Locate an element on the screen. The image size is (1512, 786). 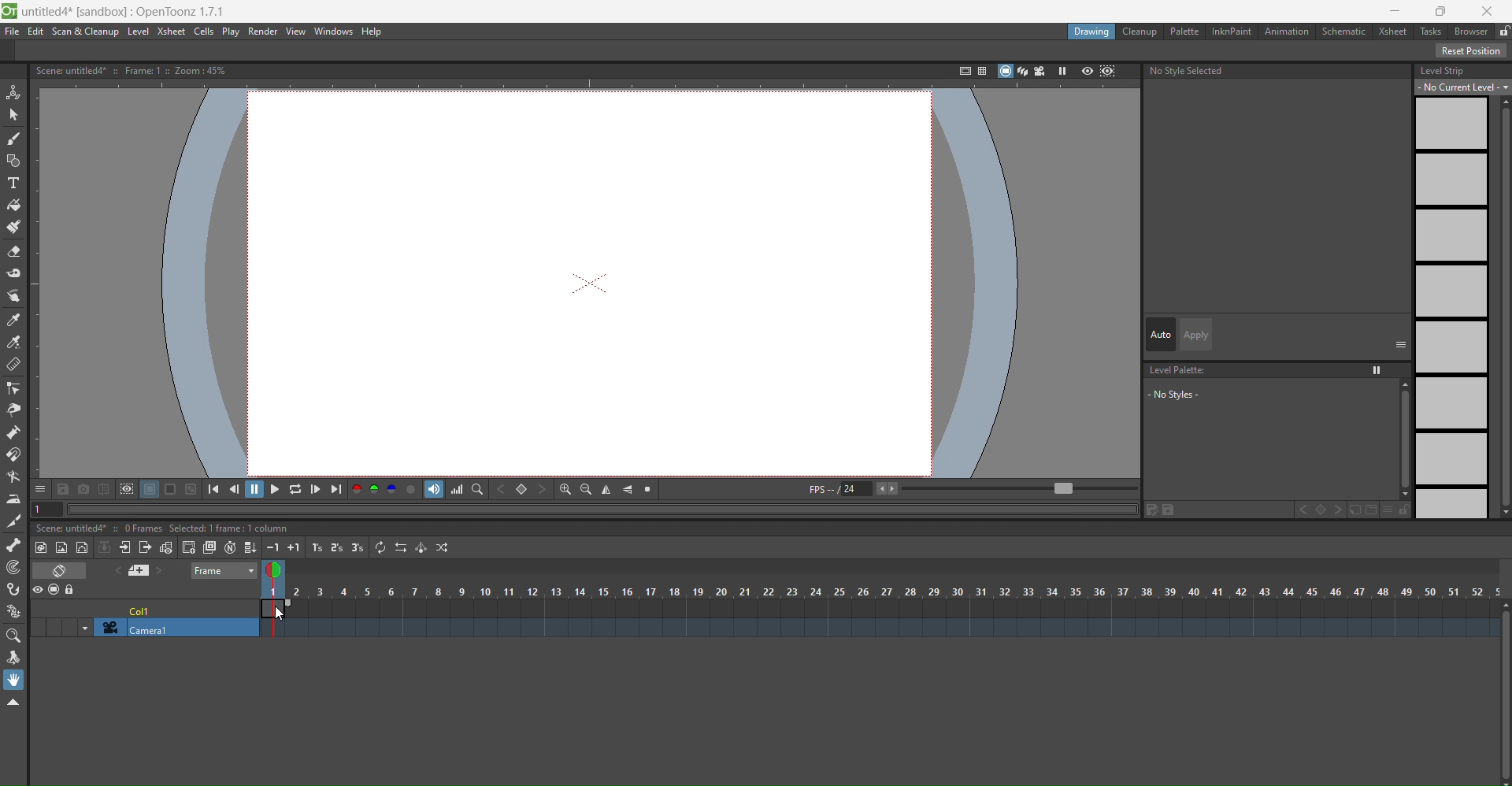
lock unlock is located at coordinates (1503, 32).